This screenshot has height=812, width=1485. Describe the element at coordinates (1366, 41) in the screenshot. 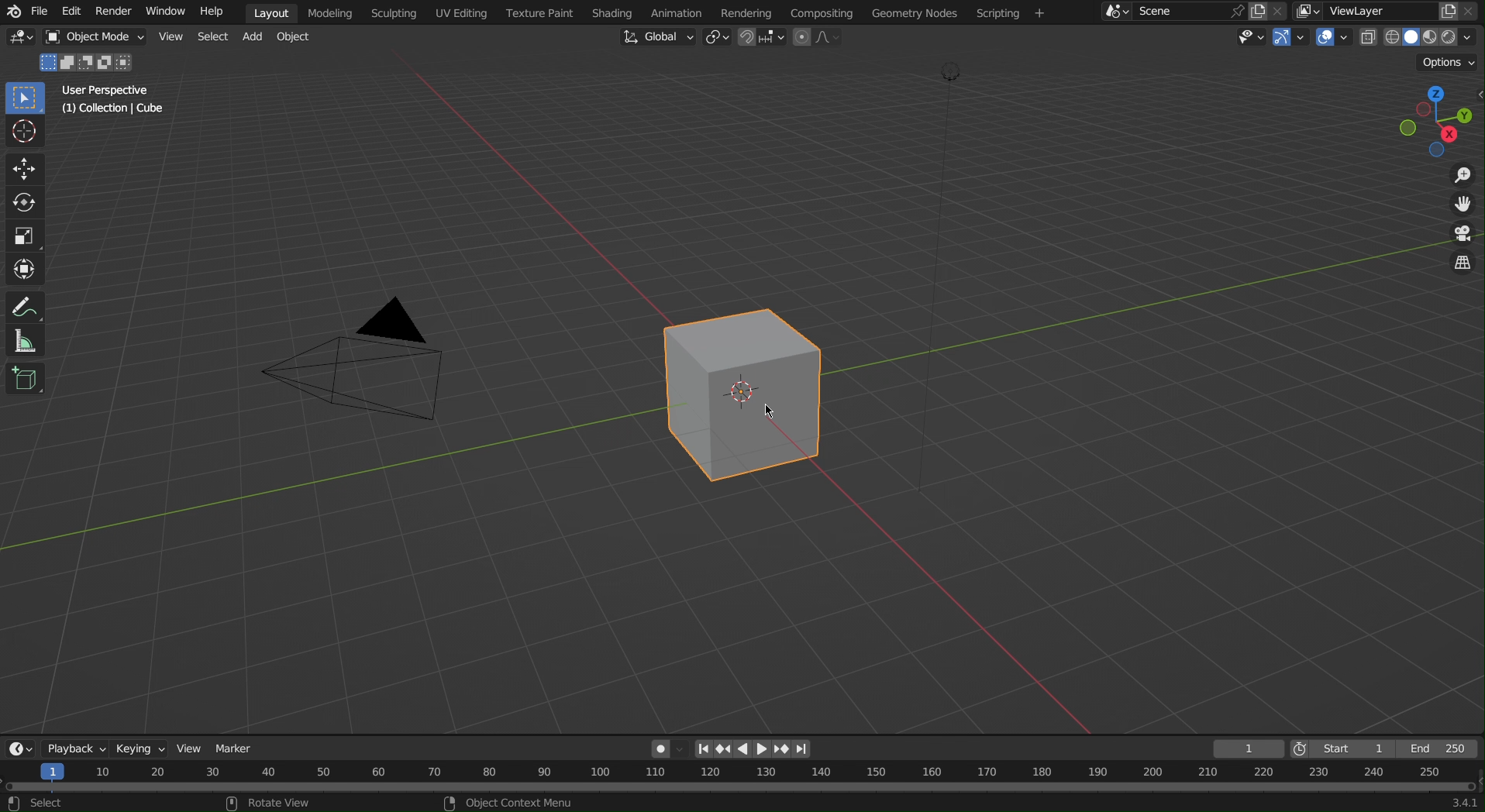

I see `Toggle X-Ray` at that location.